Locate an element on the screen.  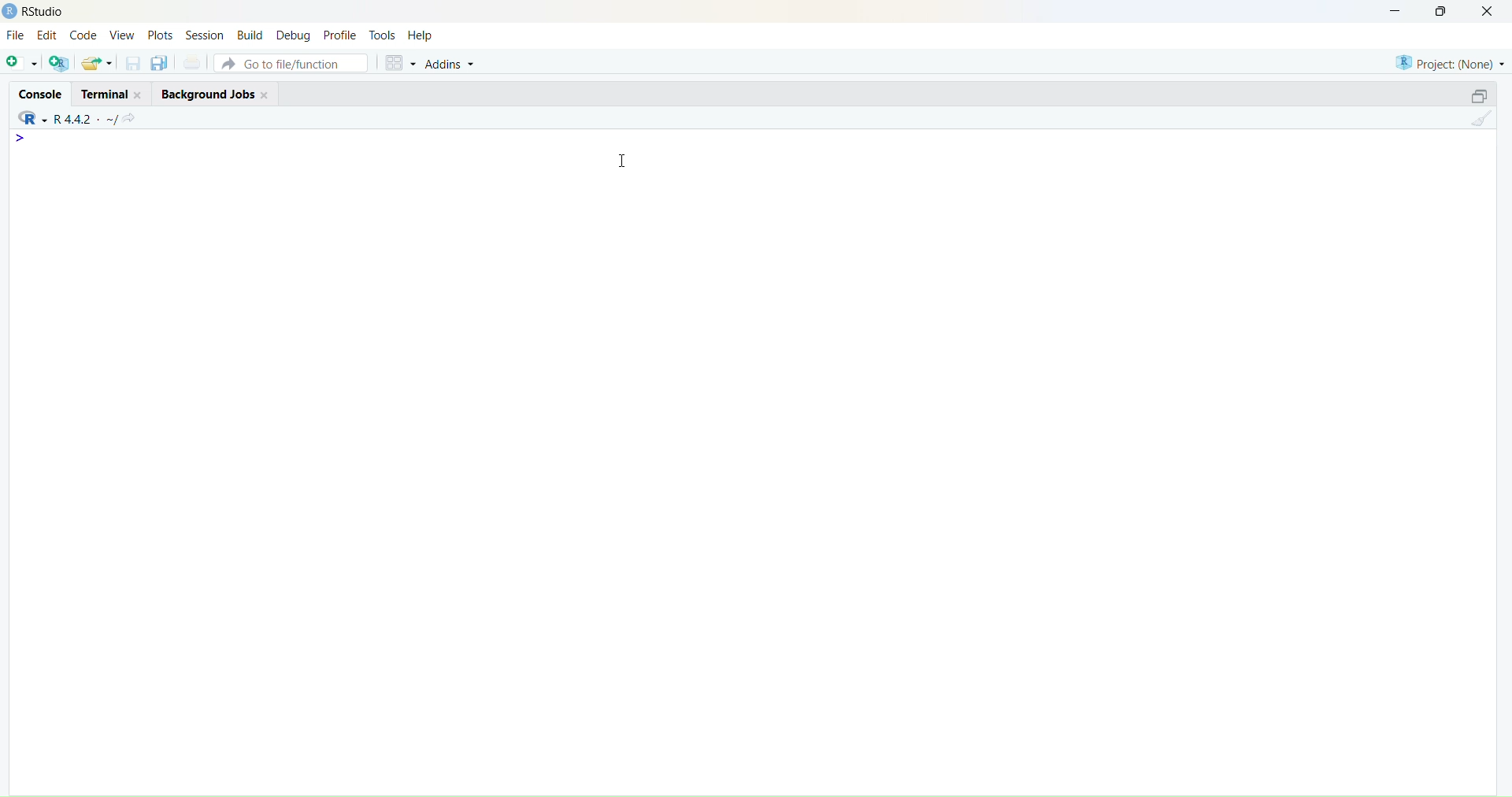
Text cursor is located at coordinates (626, 159).